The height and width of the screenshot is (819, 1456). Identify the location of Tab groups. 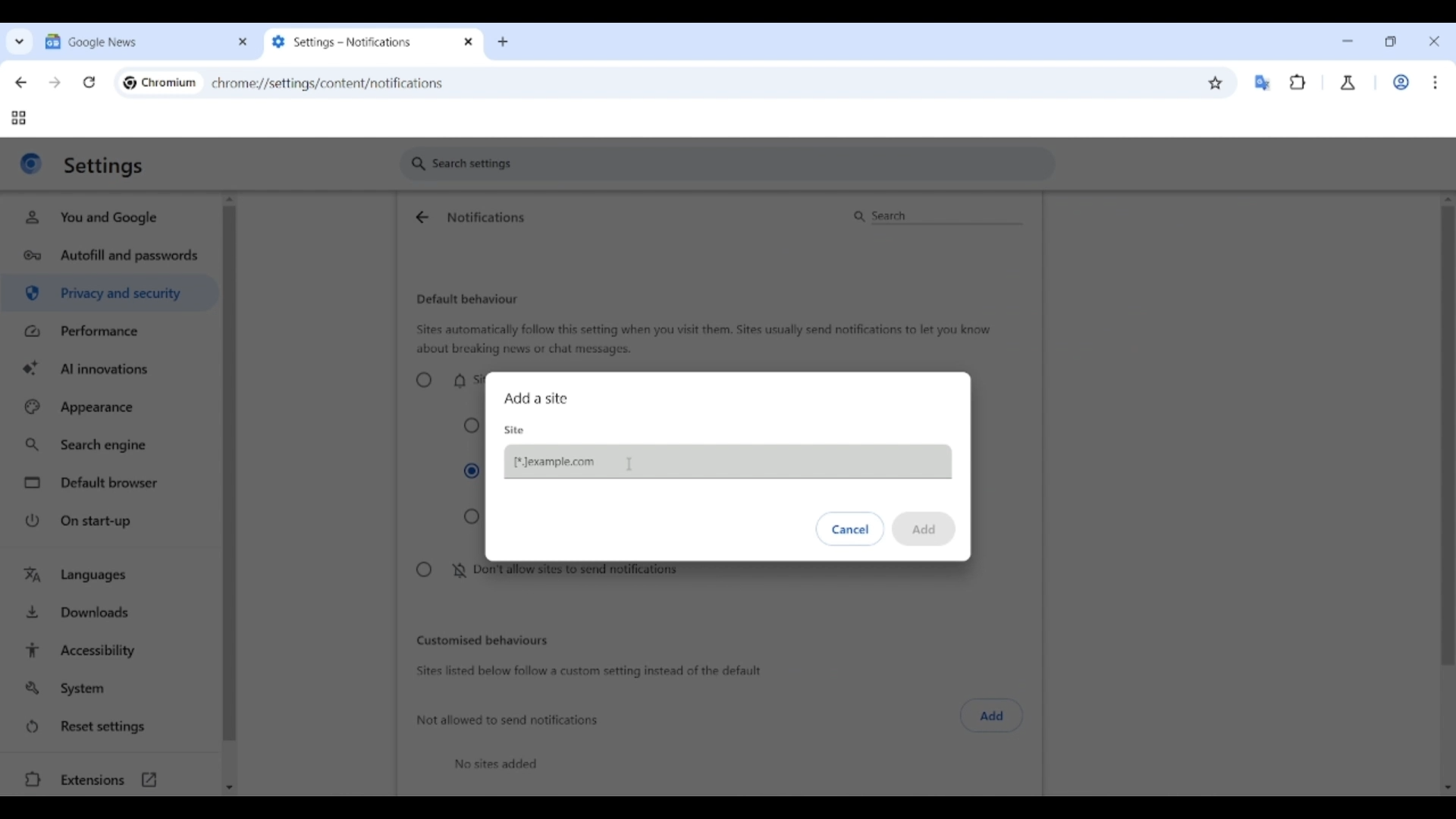
(18, 118).